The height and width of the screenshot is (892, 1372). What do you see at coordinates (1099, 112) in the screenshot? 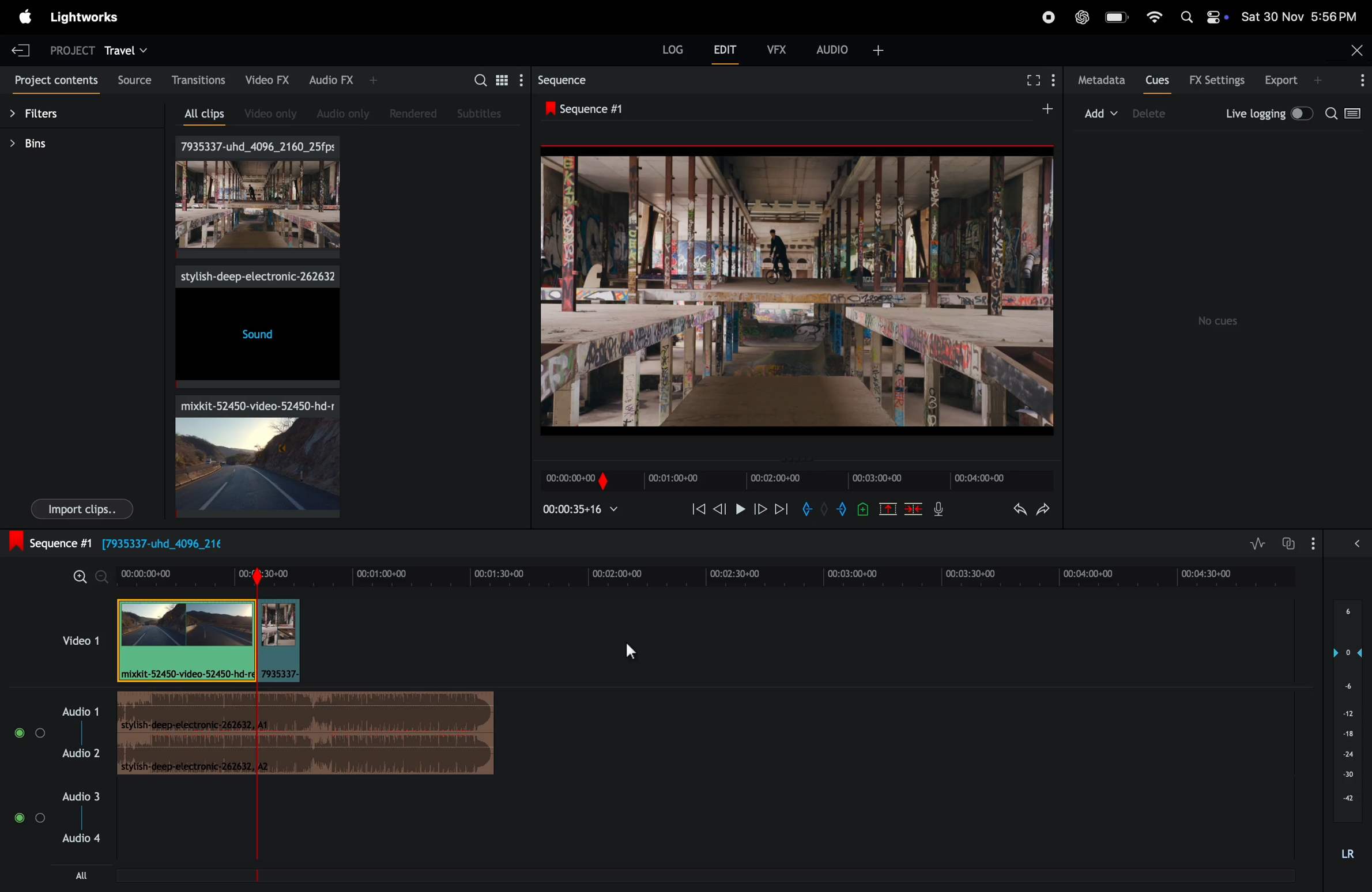
I see `add` at bounding box center [1099, 112].